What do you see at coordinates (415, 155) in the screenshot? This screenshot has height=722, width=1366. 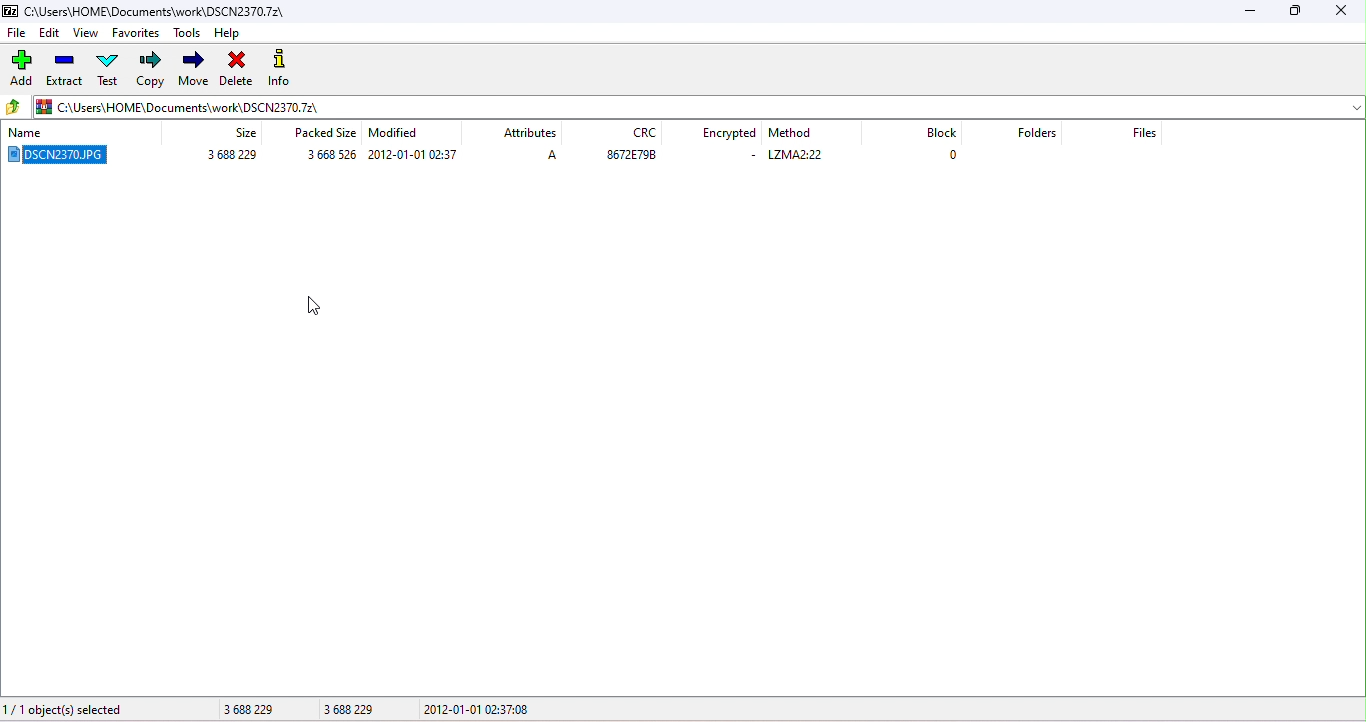 I see `modified date and time` at bounding box center [415, 155].